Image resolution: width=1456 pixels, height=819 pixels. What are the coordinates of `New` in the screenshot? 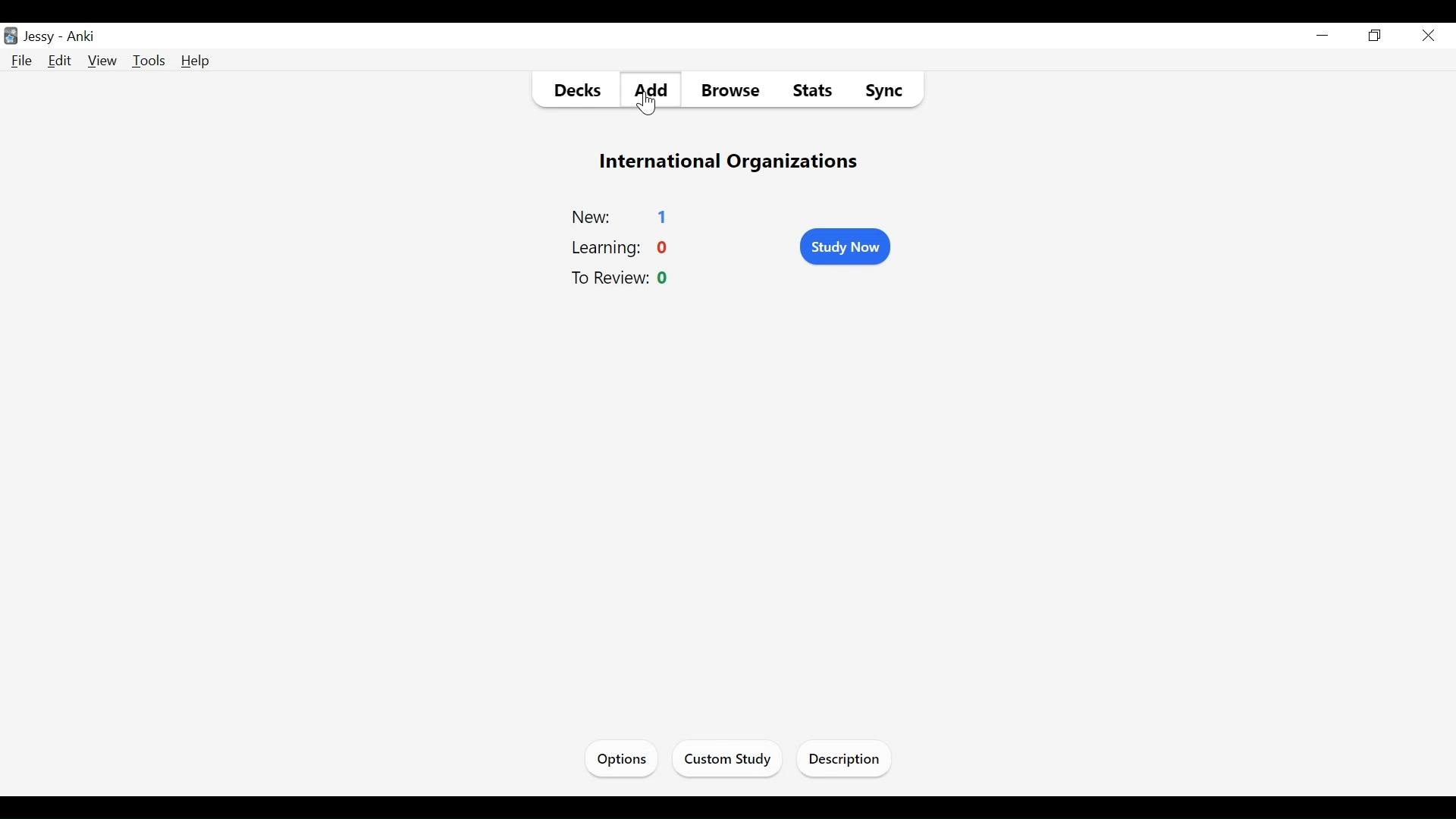 It's located at (593, 217).